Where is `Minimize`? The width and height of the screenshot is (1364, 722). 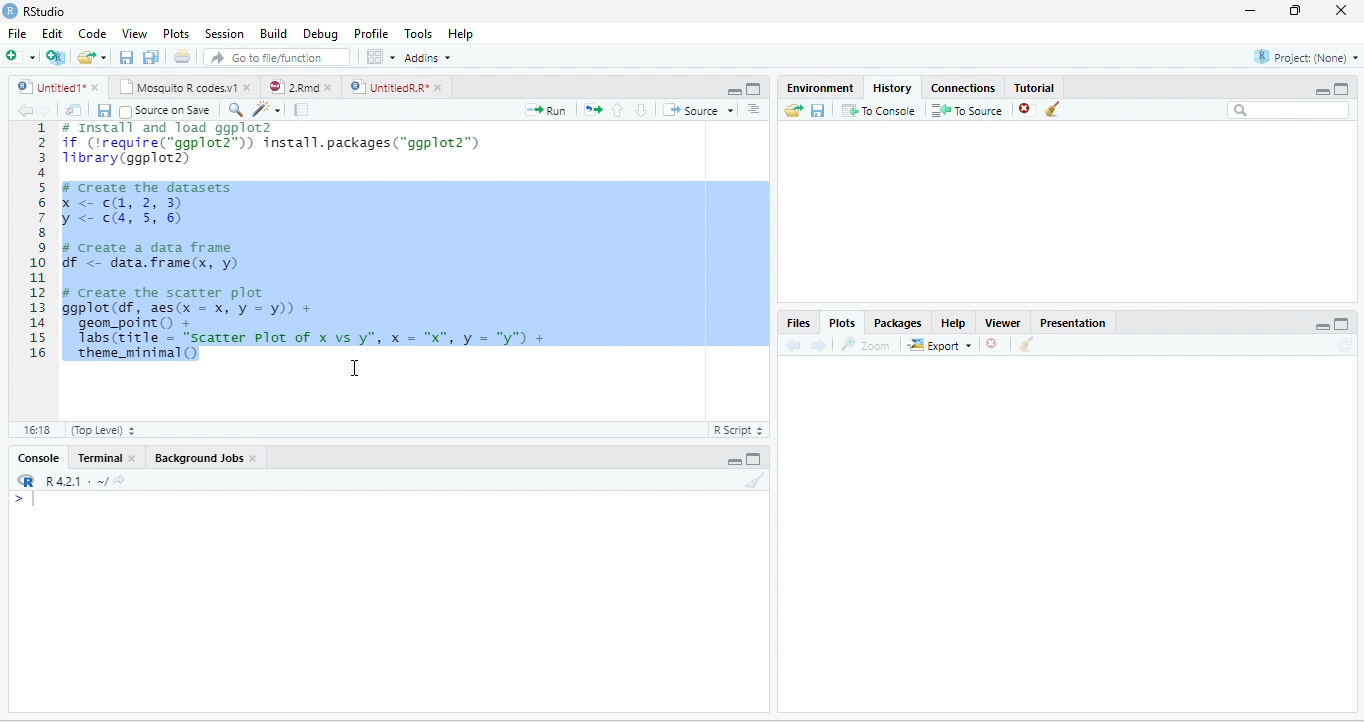 Minimize is located at coordinates (732, 90).